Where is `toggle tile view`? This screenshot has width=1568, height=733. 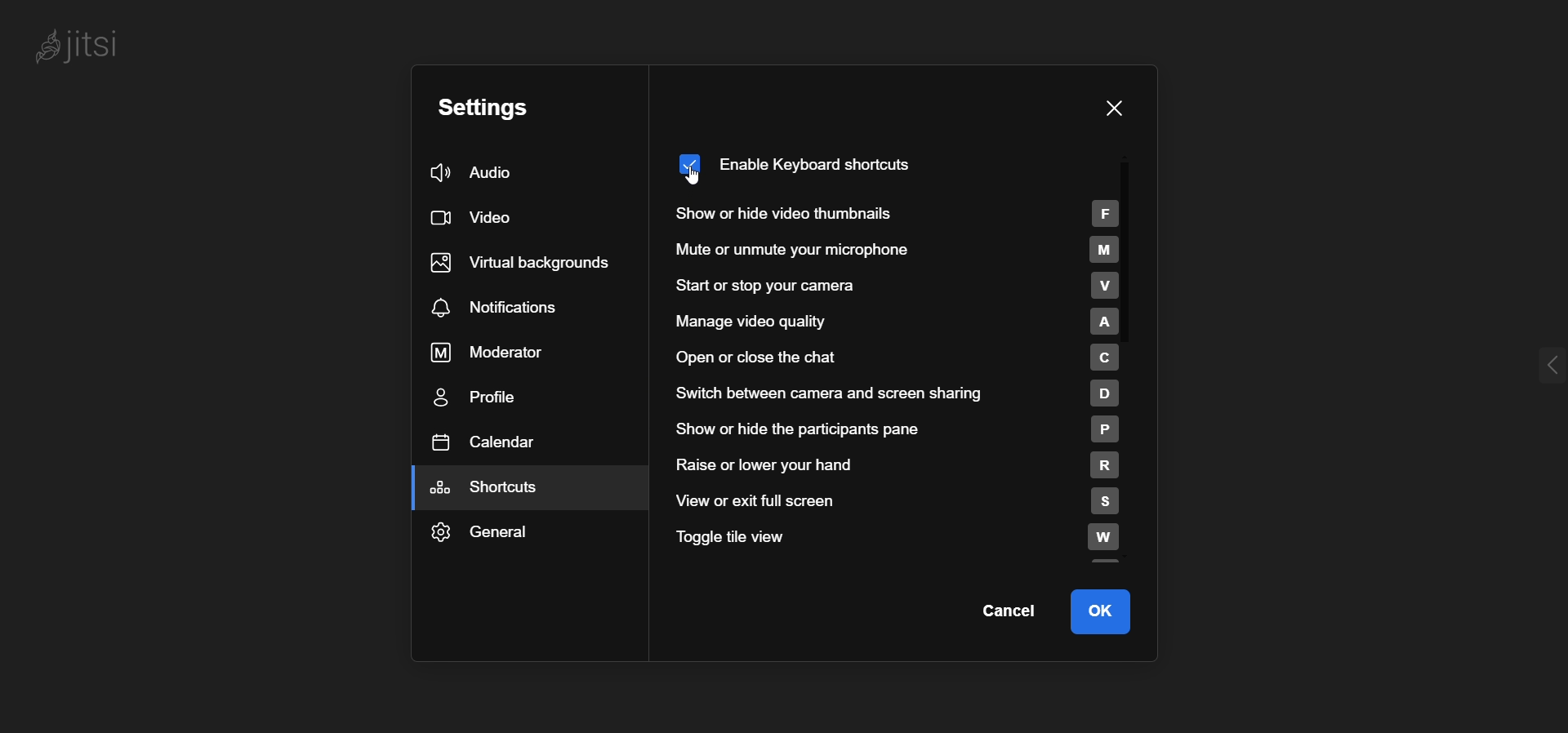 toggle tile view is located at coordinates (906, 538).